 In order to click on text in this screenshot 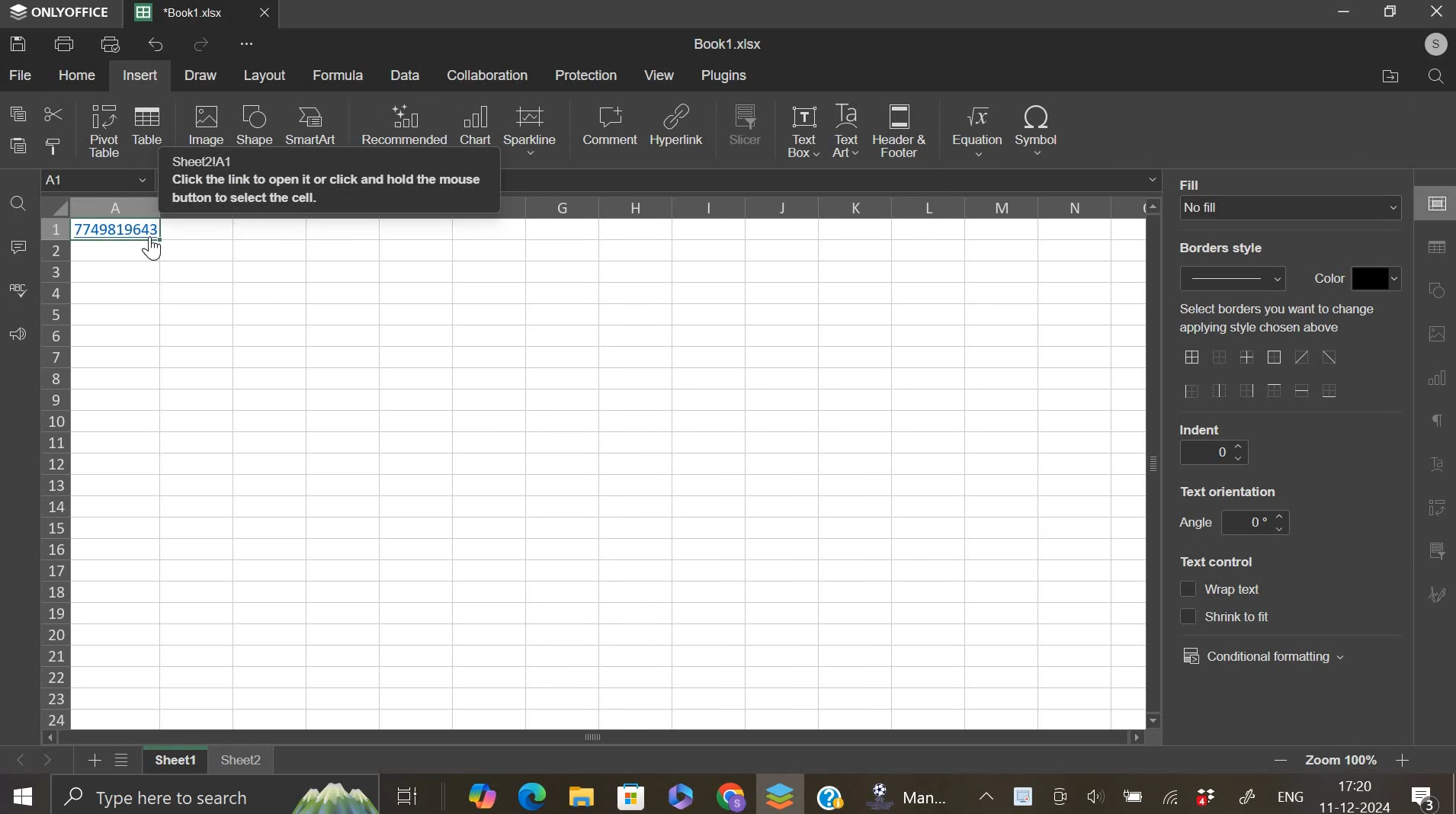, I will do `click(1229, 491)`.